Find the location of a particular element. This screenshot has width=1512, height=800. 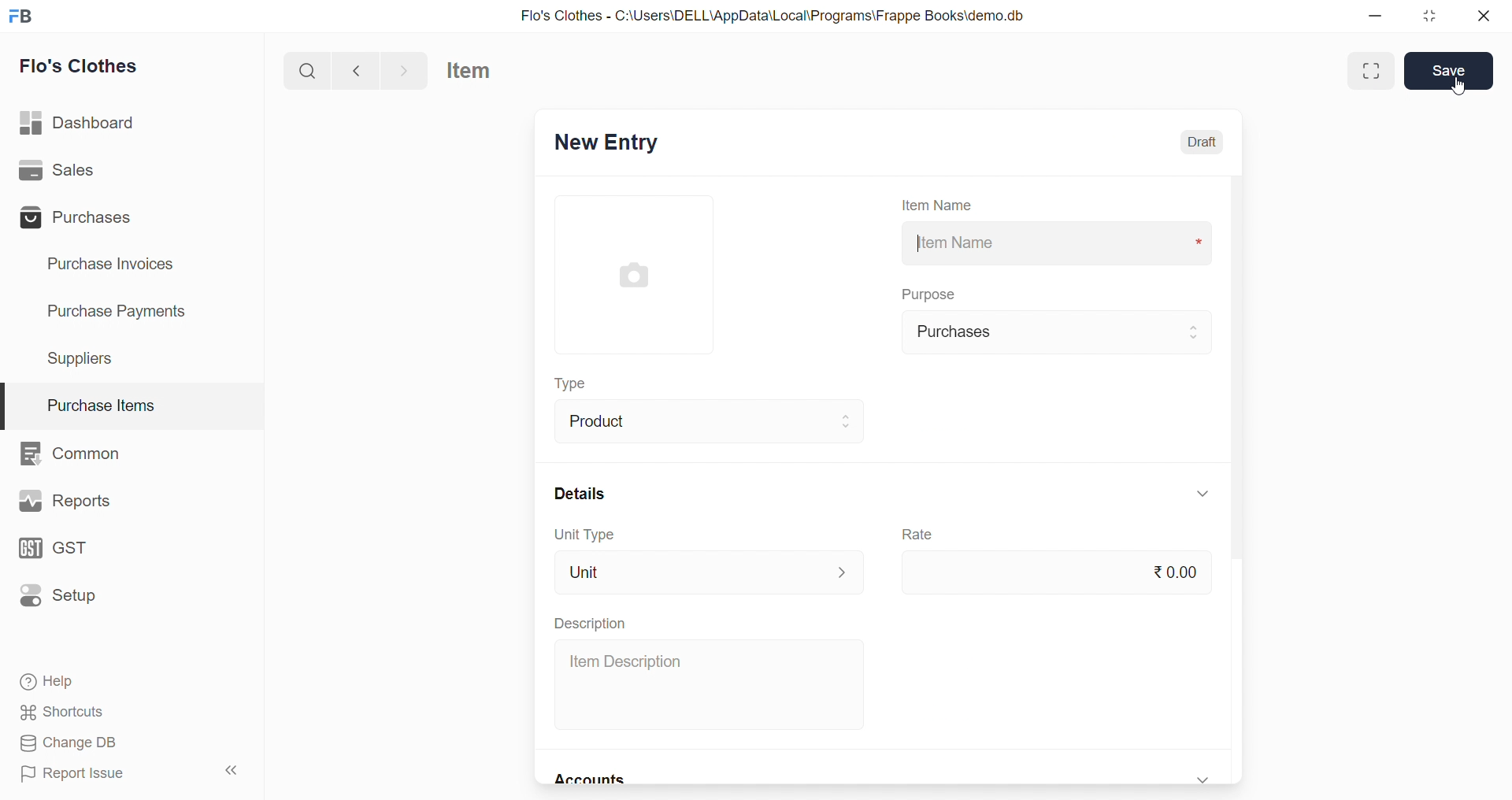

Item Description is located at coordinates (713, 685).